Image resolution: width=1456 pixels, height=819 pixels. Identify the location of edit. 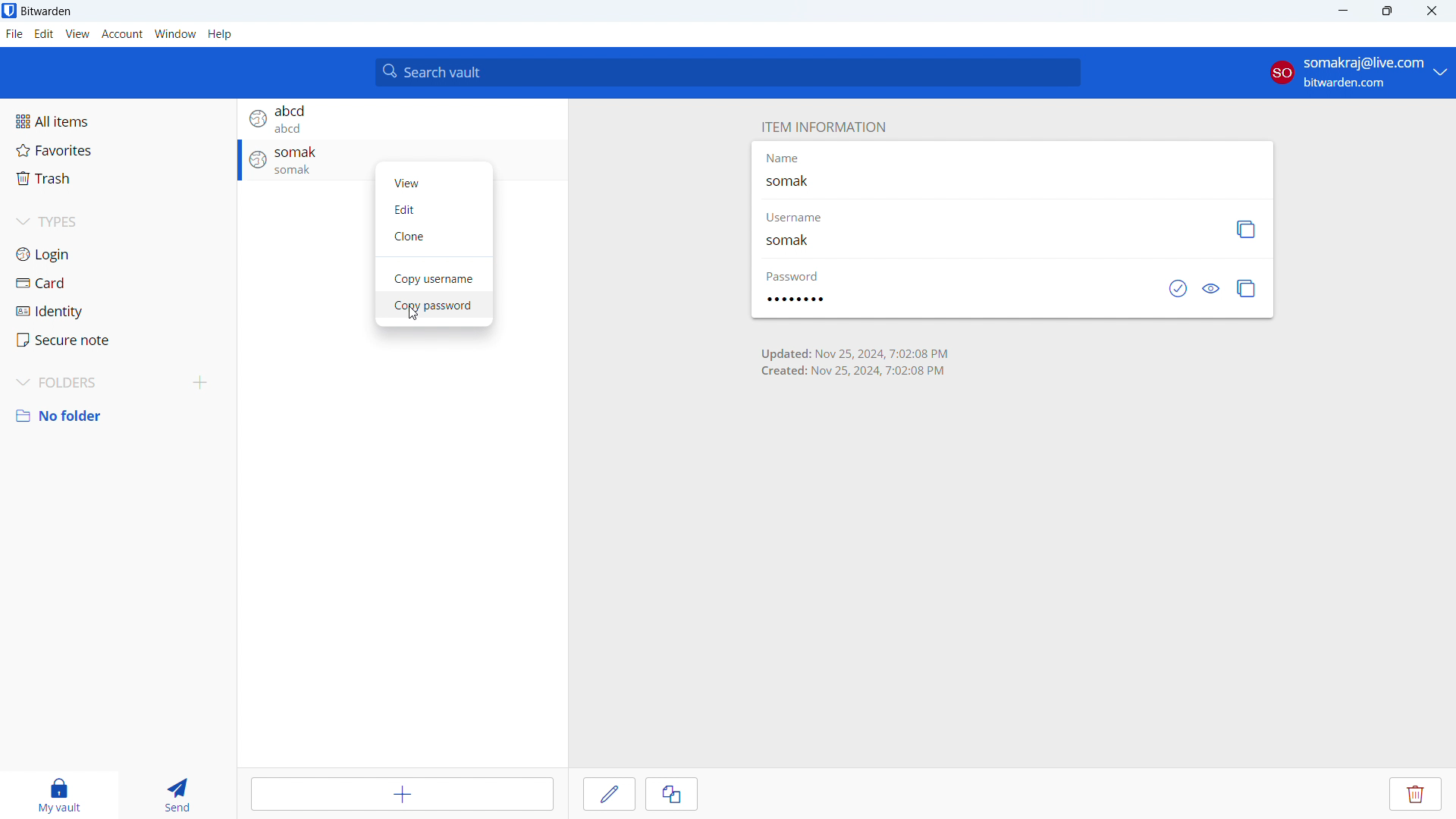
(434, 208).